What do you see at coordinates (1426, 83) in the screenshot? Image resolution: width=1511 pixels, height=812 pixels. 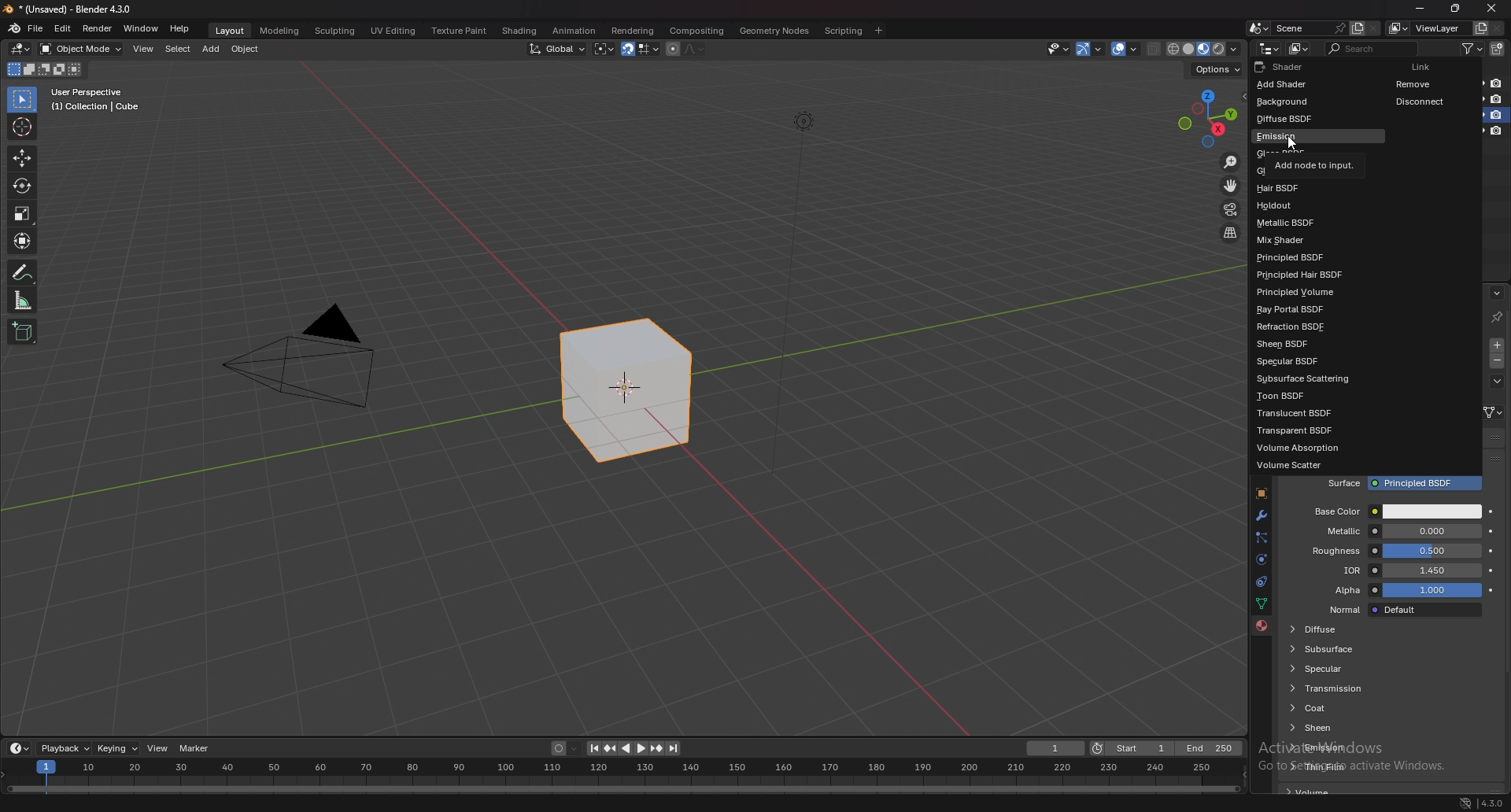 I see `remove` at bounding box center [1426, 83].